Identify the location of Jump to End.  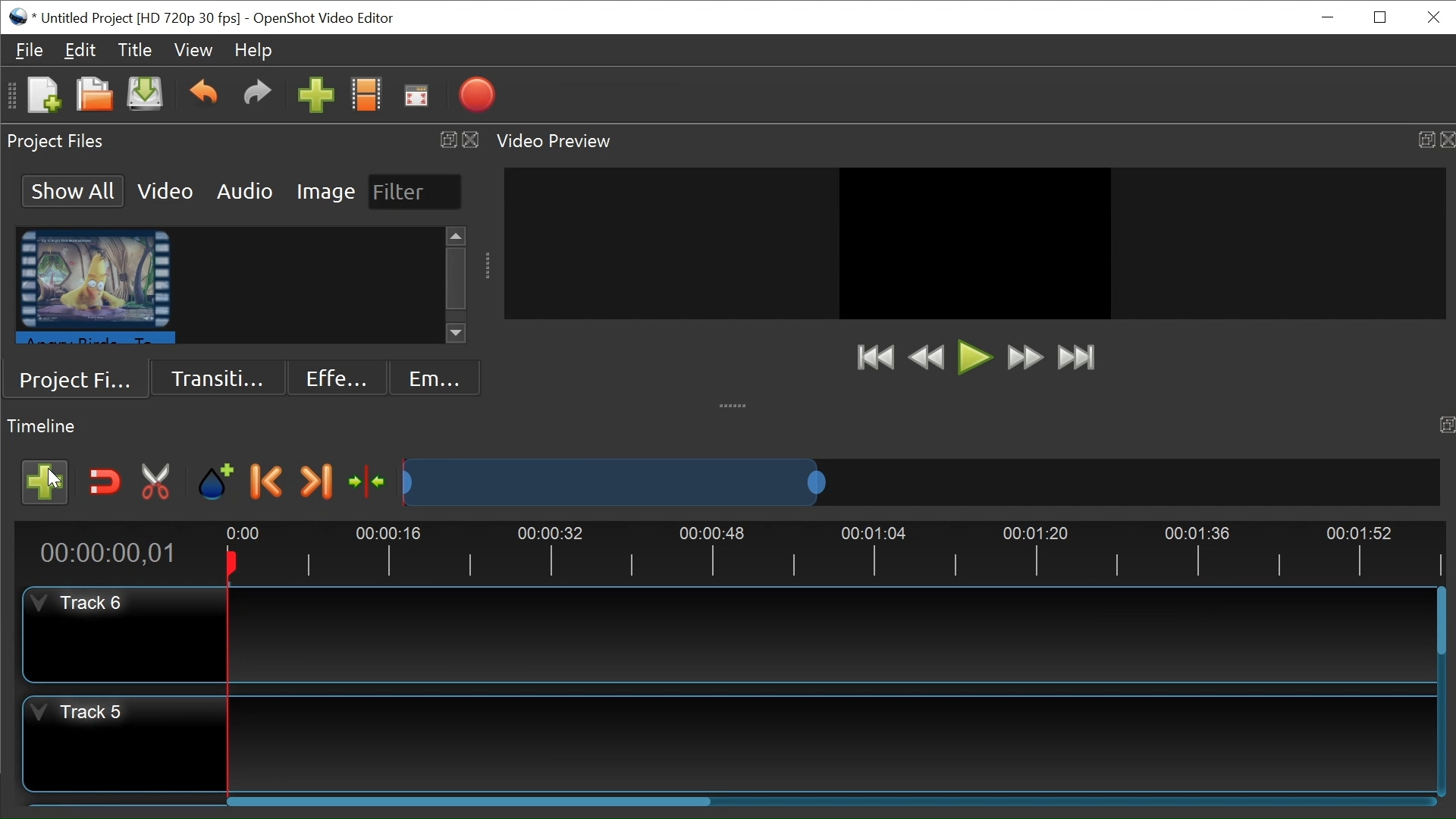
(1081, 359).